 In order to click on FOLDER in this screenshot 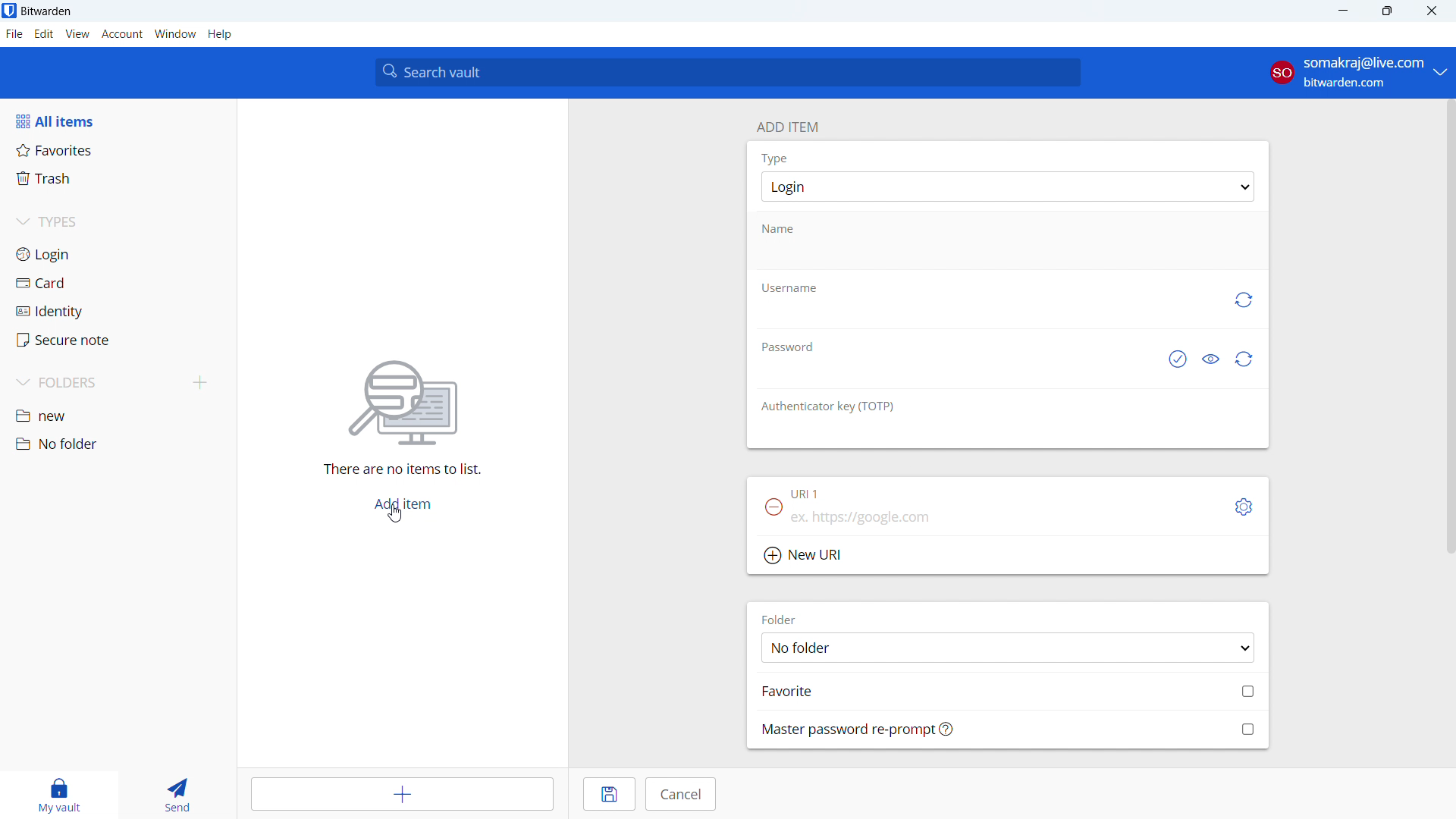, I will do `click(783, 619)`.